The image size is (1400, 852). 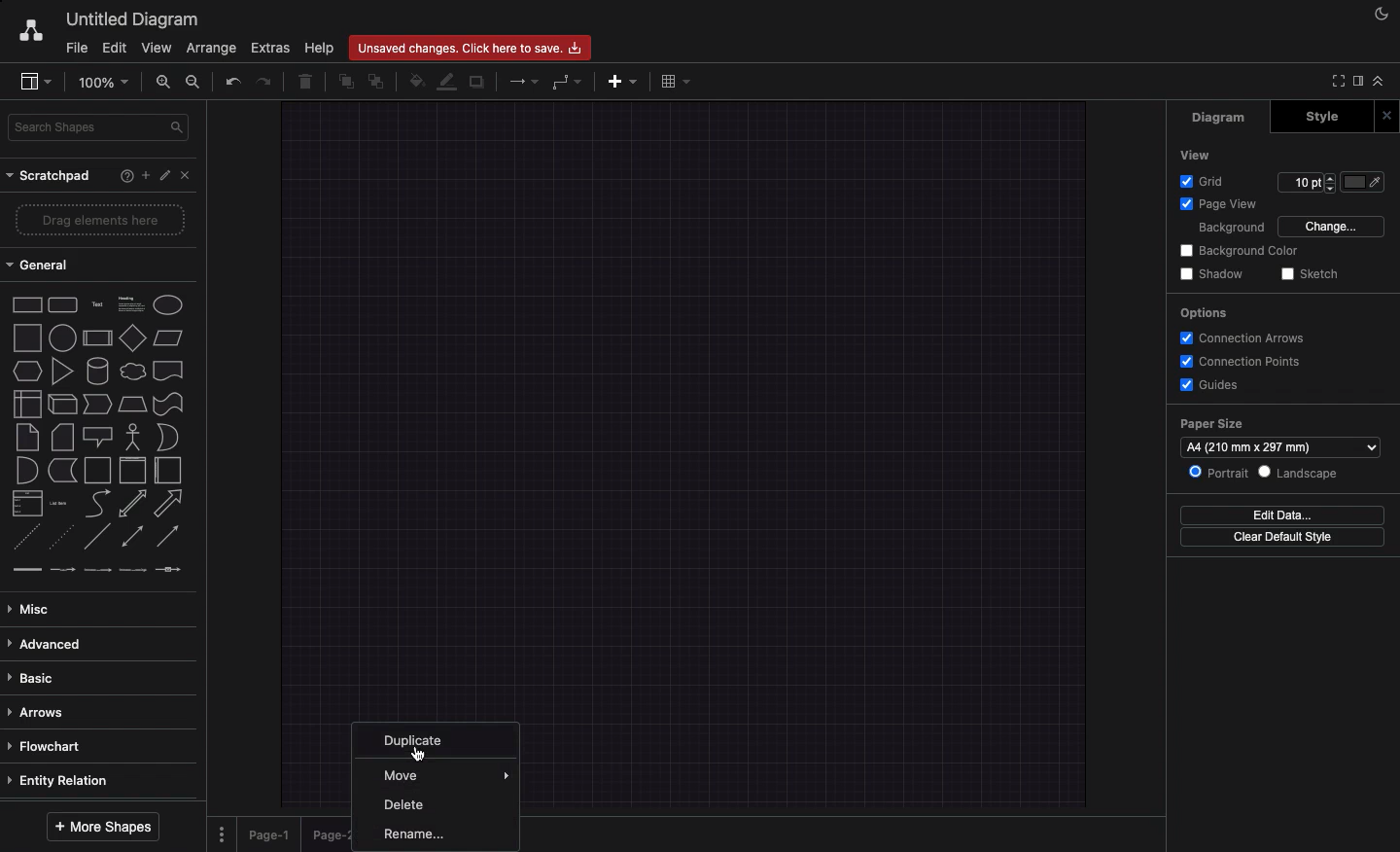 What do you see at coordinates (476, 84) in the screenshot?
I see `Duplicate ` at bounding box center [476, 84].